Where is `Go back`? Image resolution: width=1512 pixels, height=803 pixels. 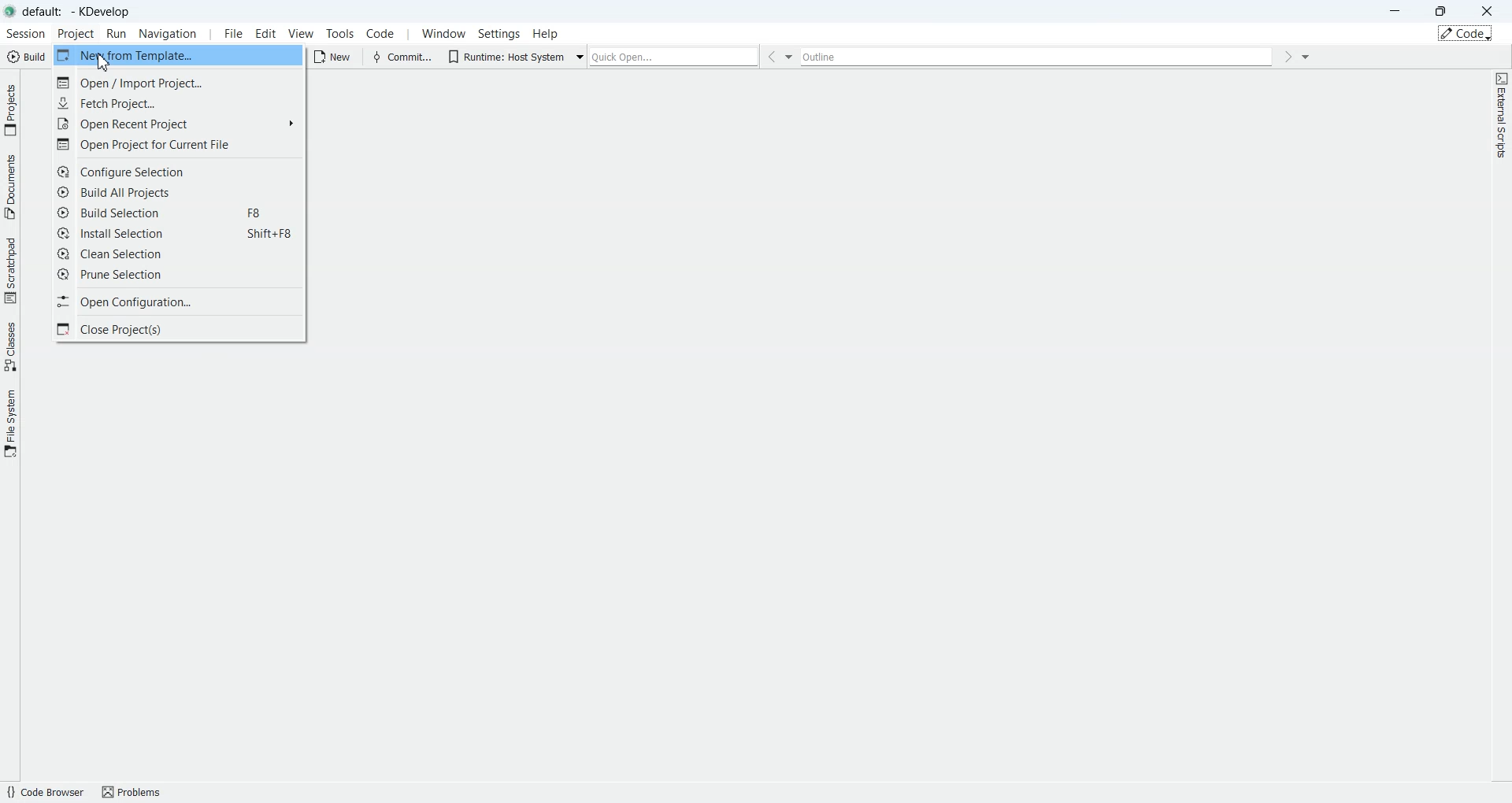
Go back is located at coordinates (770, 57).